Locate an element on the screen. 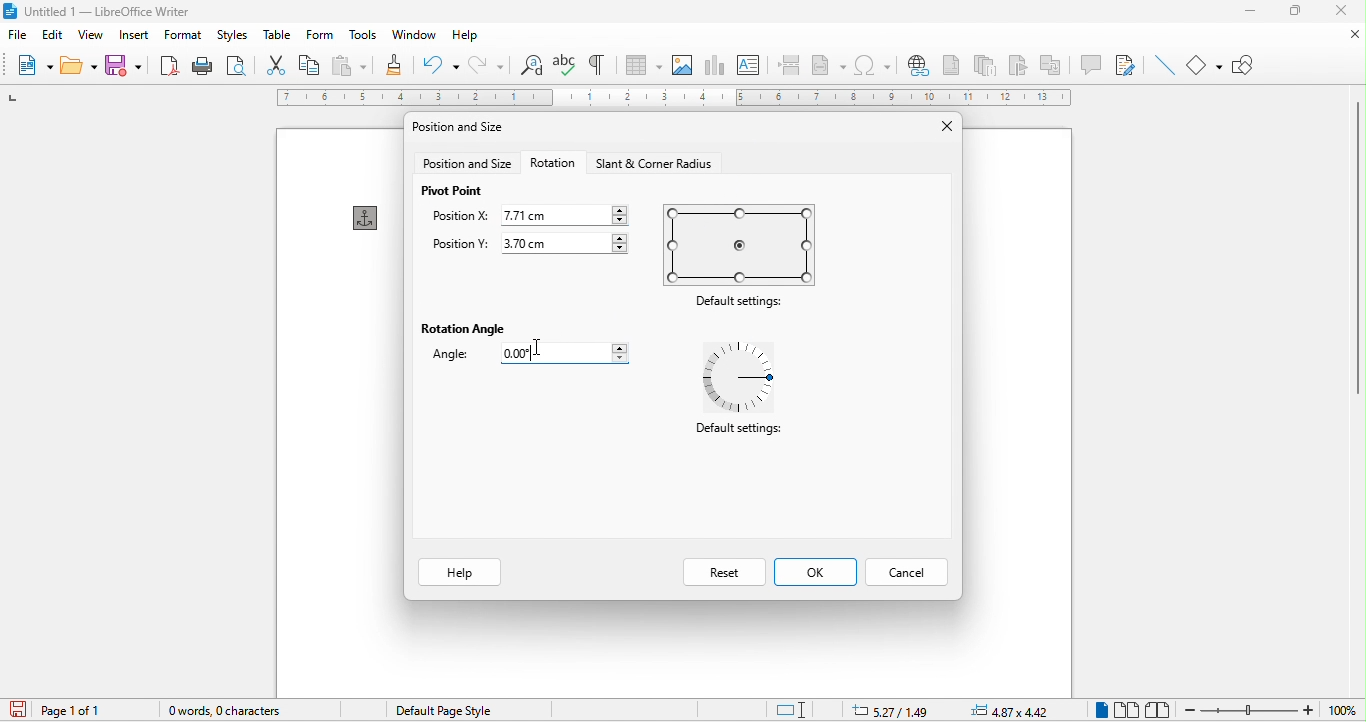 The width and height of the screenshot is (1366, 722). clone formatting is located at coordinates (392, 66).